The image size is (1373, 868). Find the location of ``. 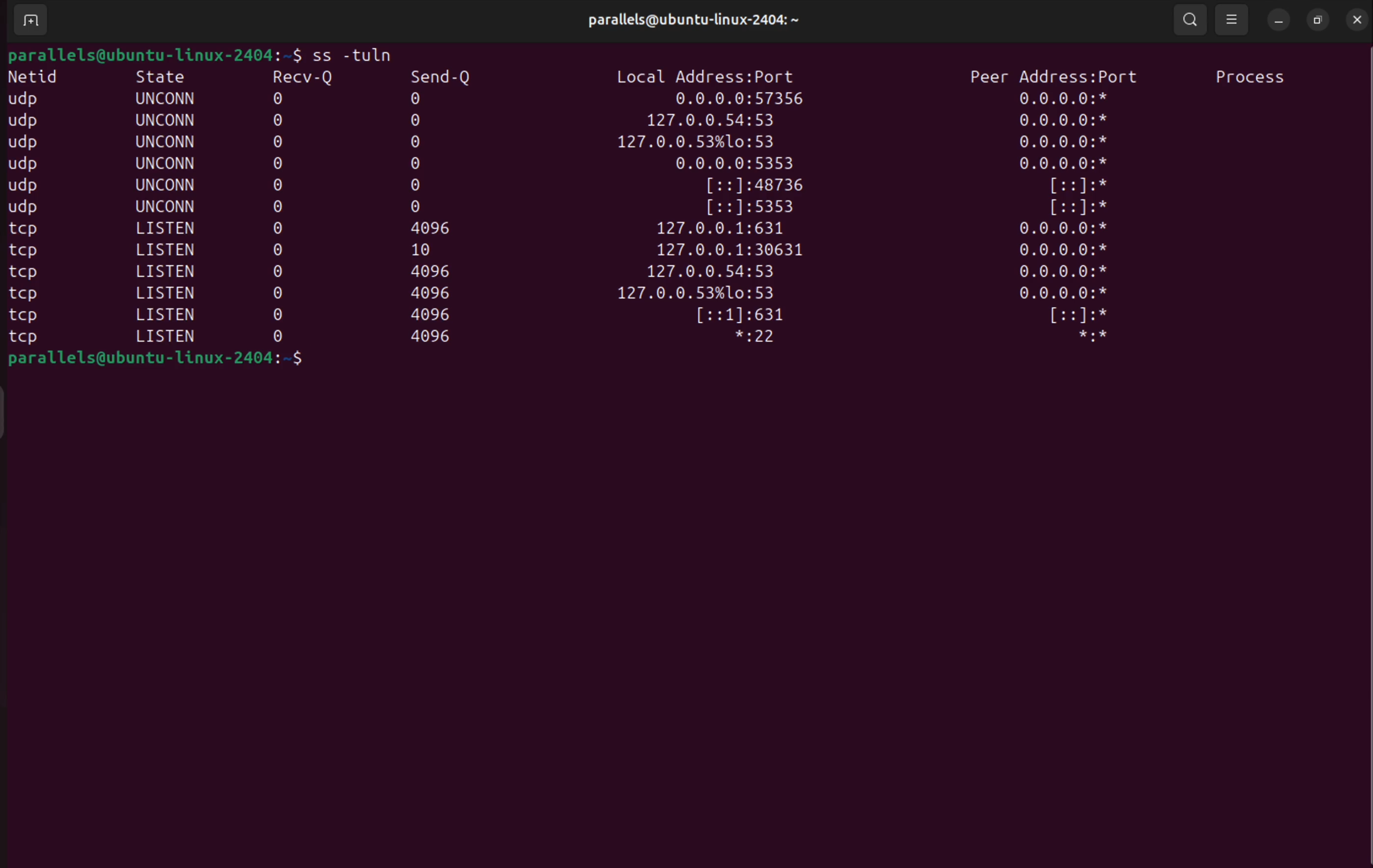

 is located at coordinates (279, 205).